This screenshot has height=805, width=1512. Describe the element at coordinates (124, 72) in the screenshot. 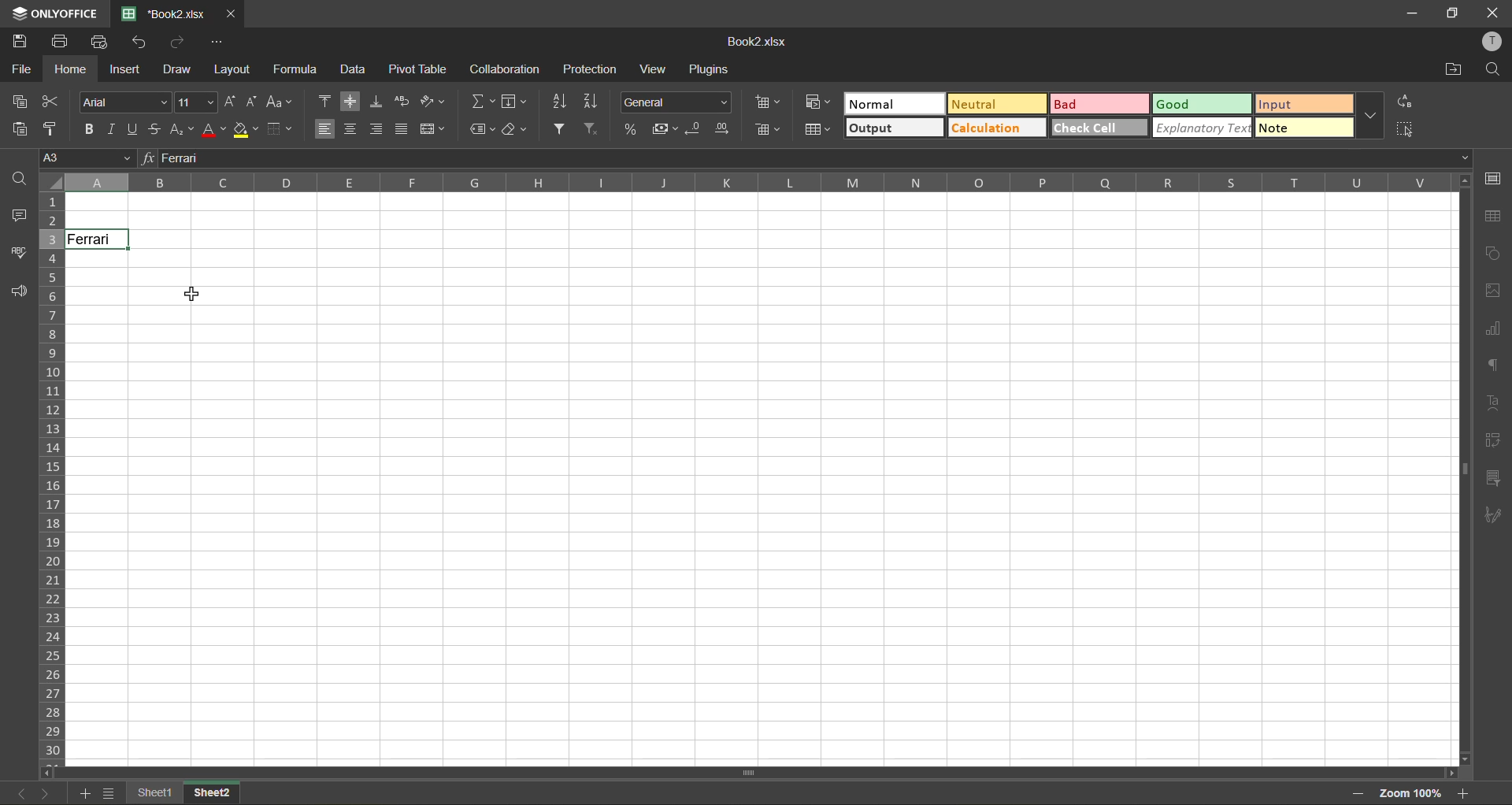

I see `insert` at that location.